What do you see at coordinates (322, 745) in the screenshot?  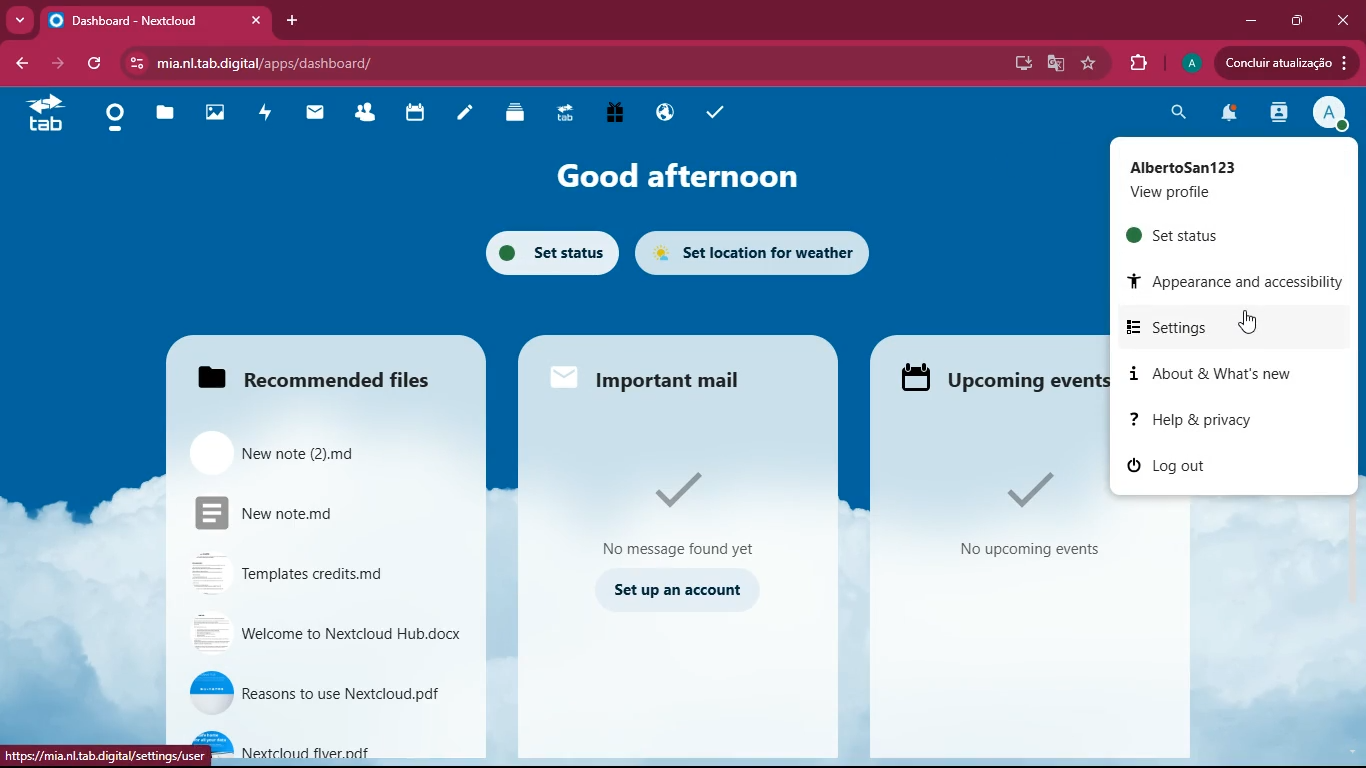 I see `file` at bounding box center [322, 745].